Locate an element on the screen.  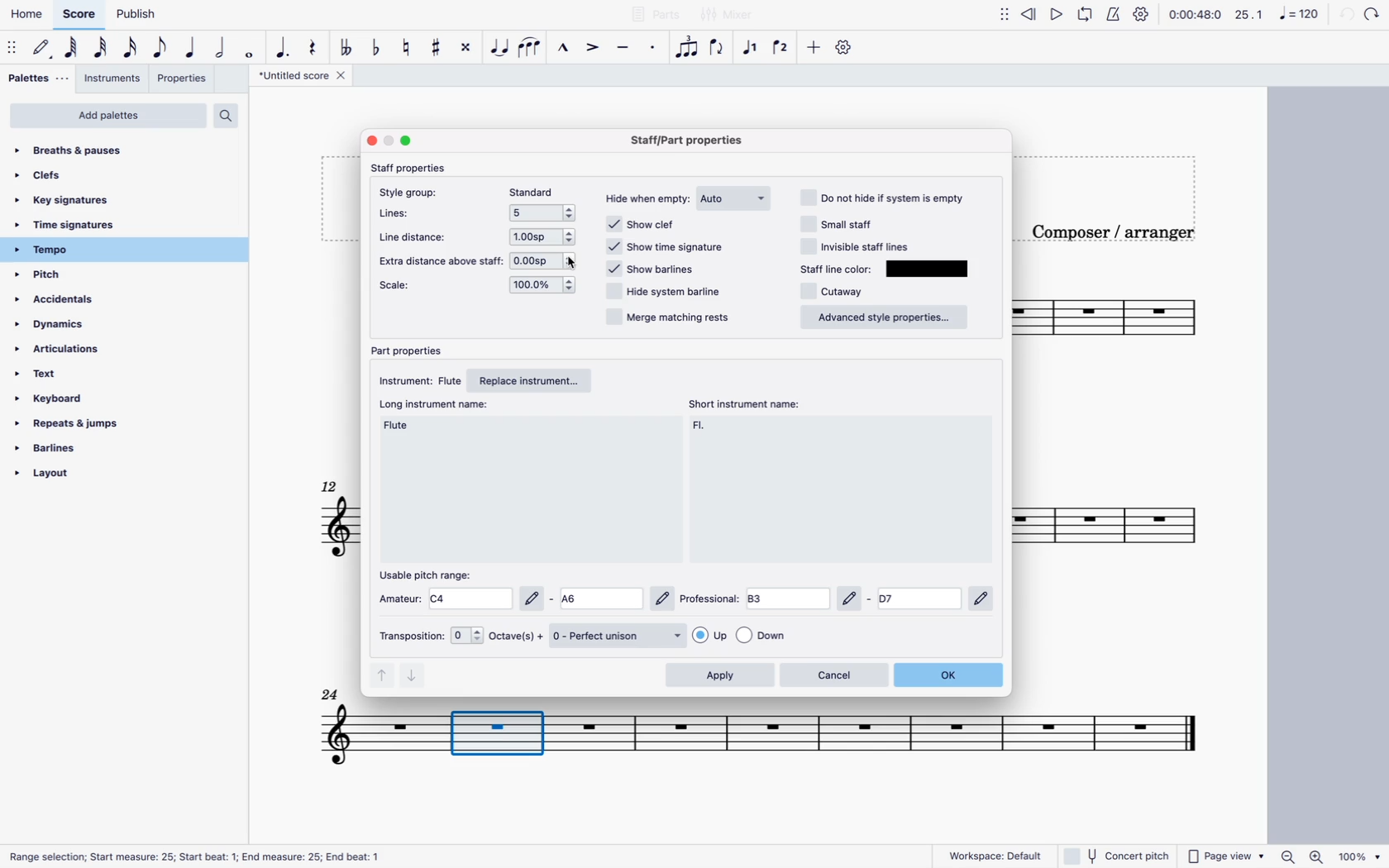
score is located at coordinates (322, 518).